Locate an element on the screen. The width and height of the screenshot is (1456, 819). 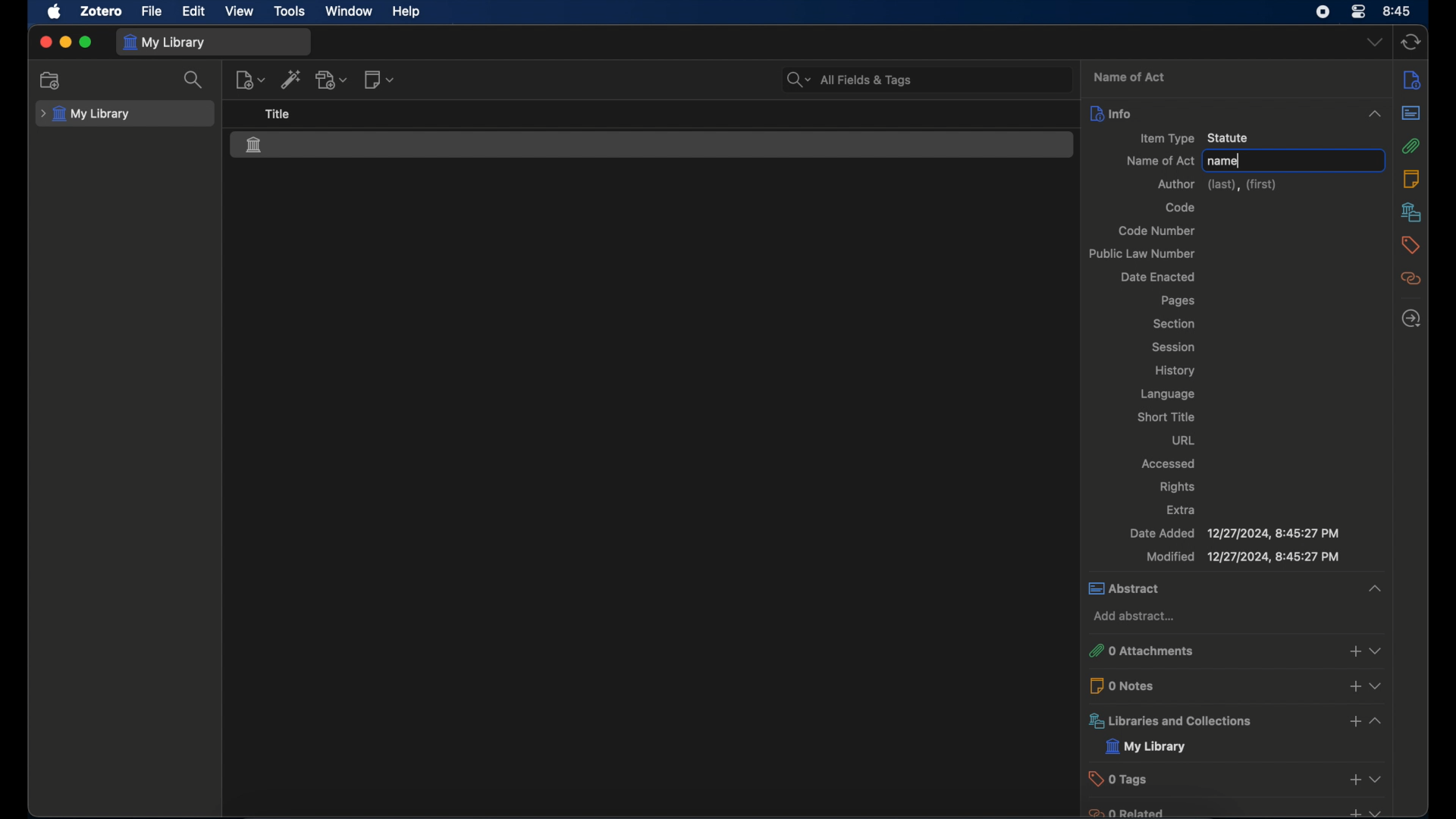
0 attachments is located at coordinates (1210, 651).